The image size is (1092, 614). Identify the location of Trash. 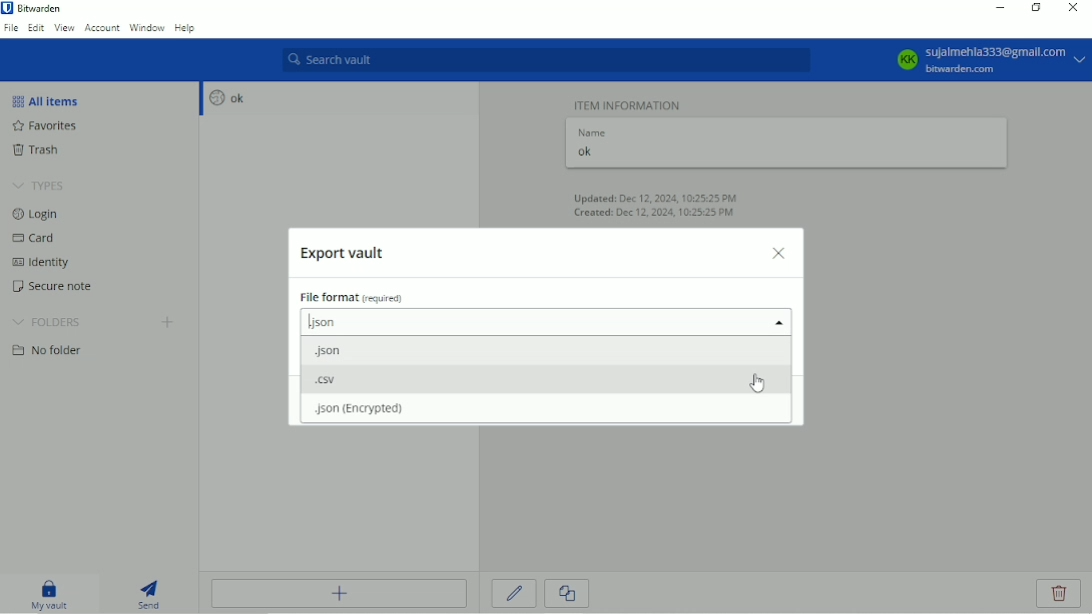
(47, 151).